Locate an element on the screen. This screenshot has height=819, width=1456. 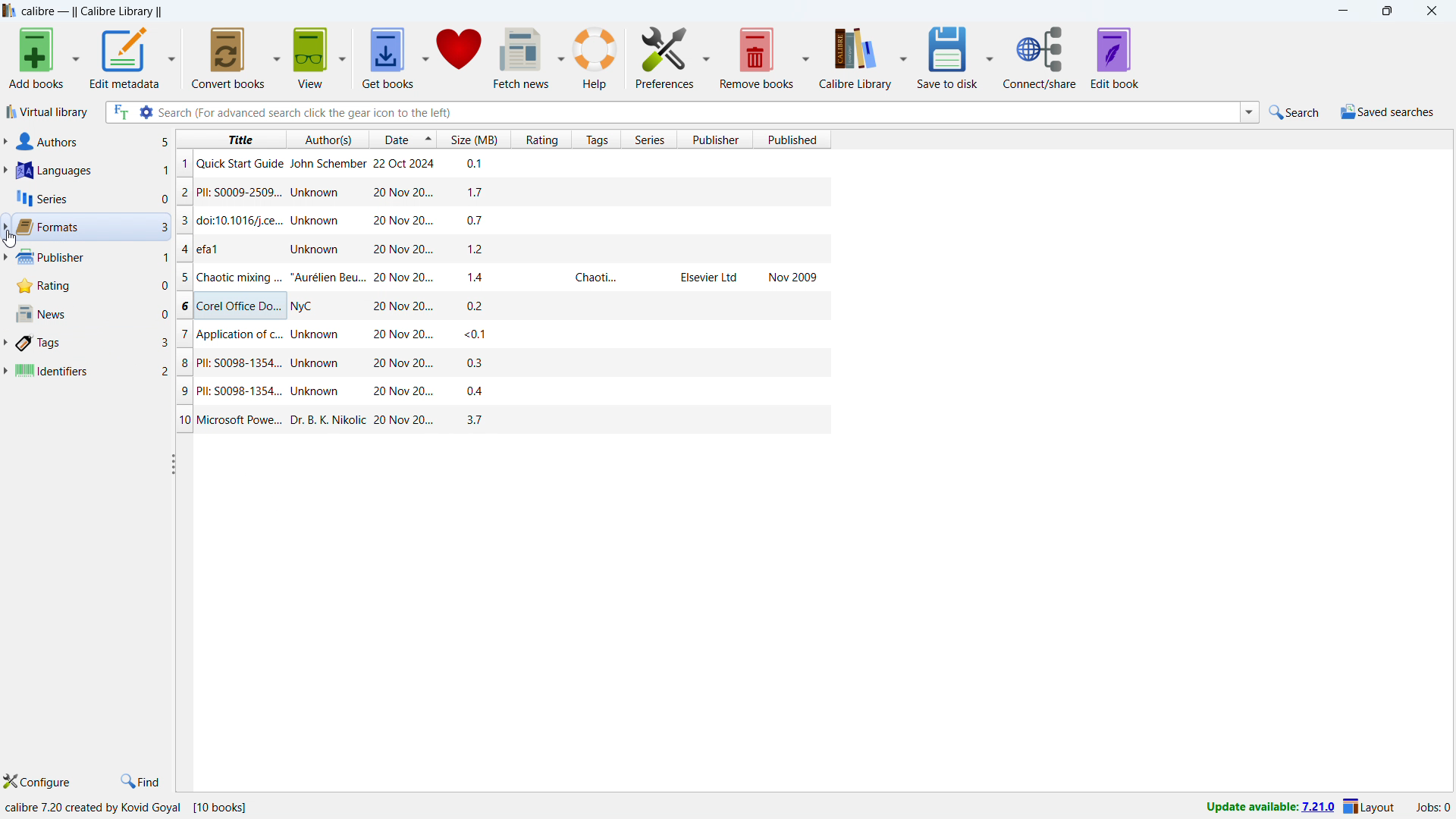
sort by size is located at coordinates (473, 139).